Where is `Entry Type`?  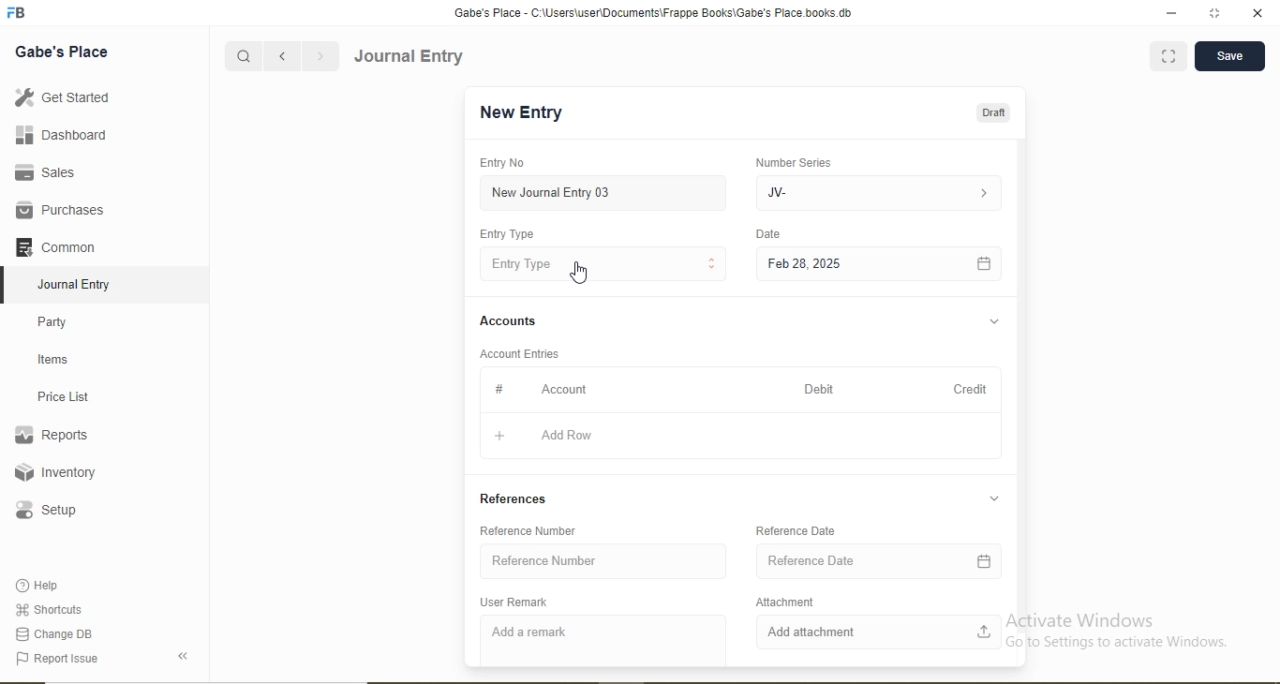
Entry Type is located at coordinates (522, 264).